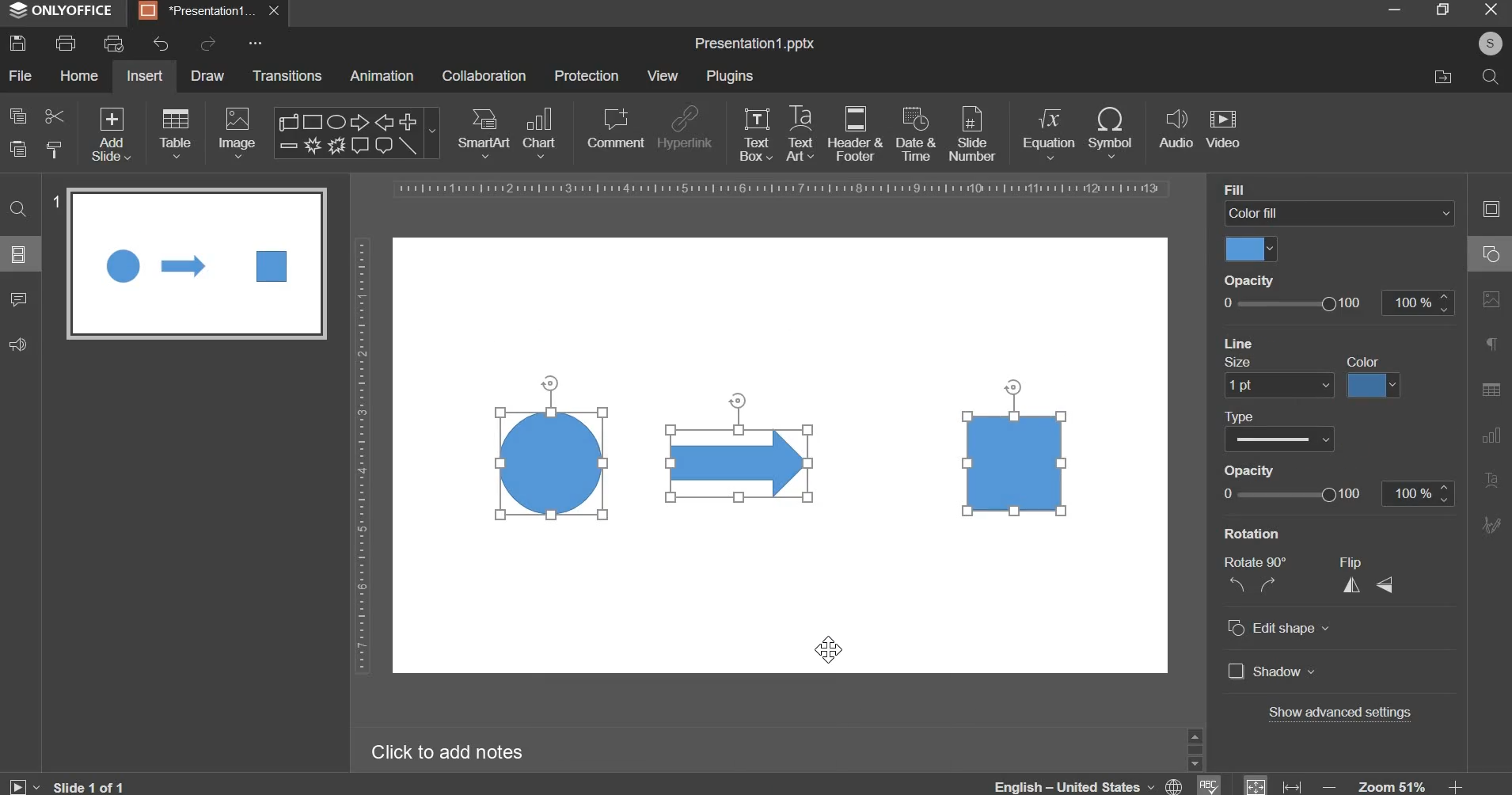 The height and width of the screenshot is (795, 1512). I want to click on text art setting, so click(1490, 478).